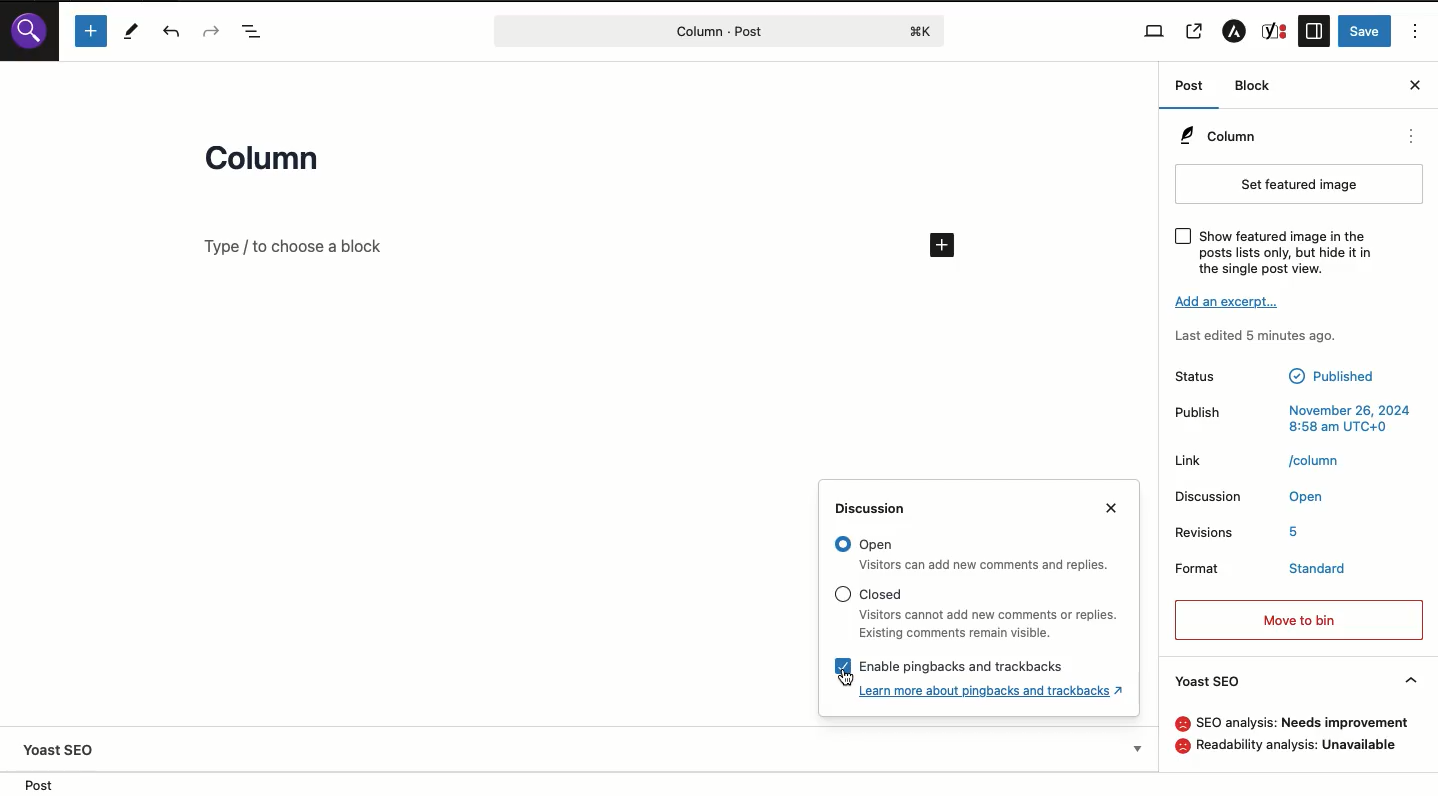 The height and width of the screenshot is (796, 1438). I want to click on Publish, so click(1194, 412).